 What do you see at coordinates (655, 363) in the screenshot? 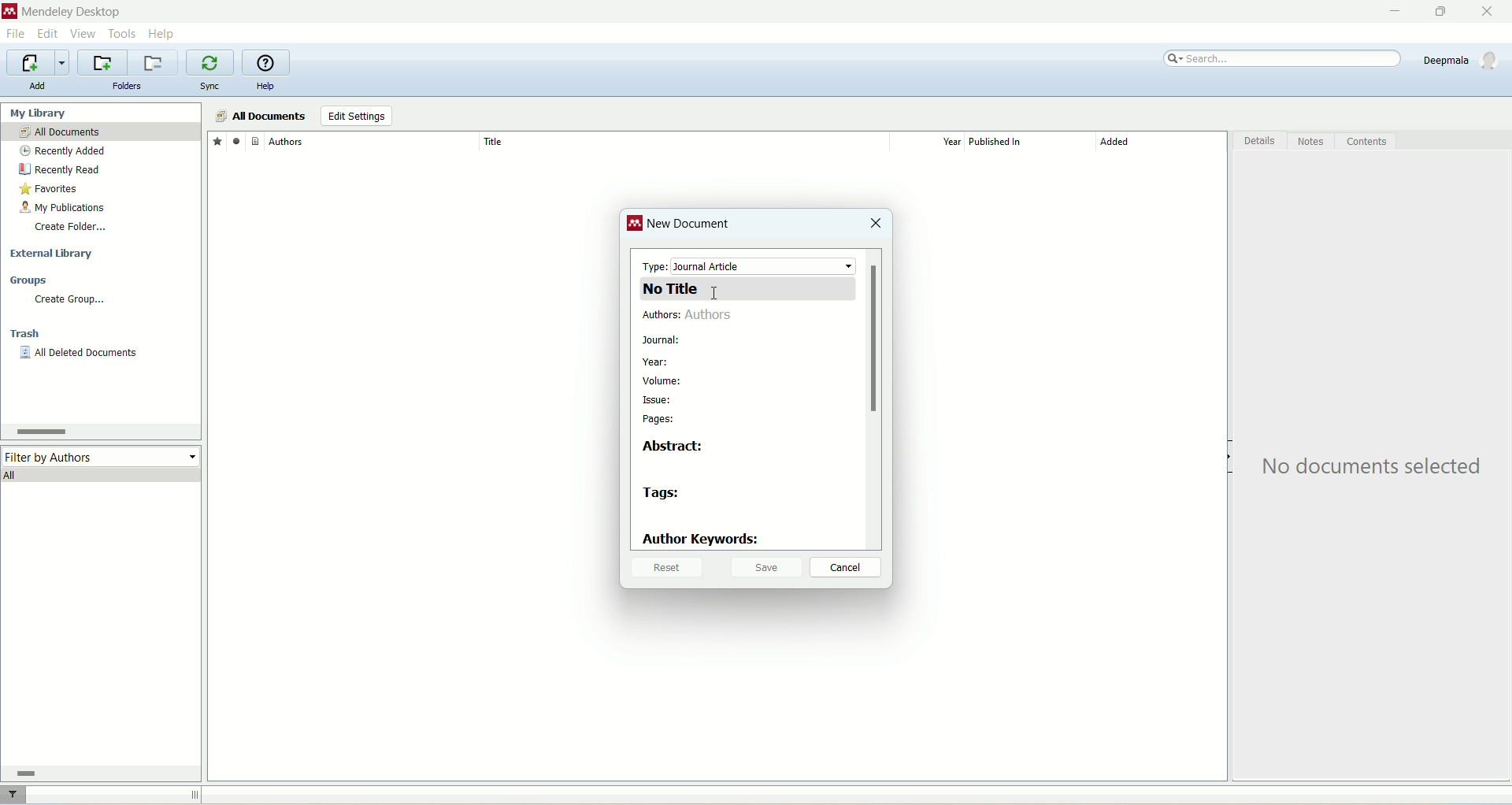
I see `year` at bounding box center [655, 363].